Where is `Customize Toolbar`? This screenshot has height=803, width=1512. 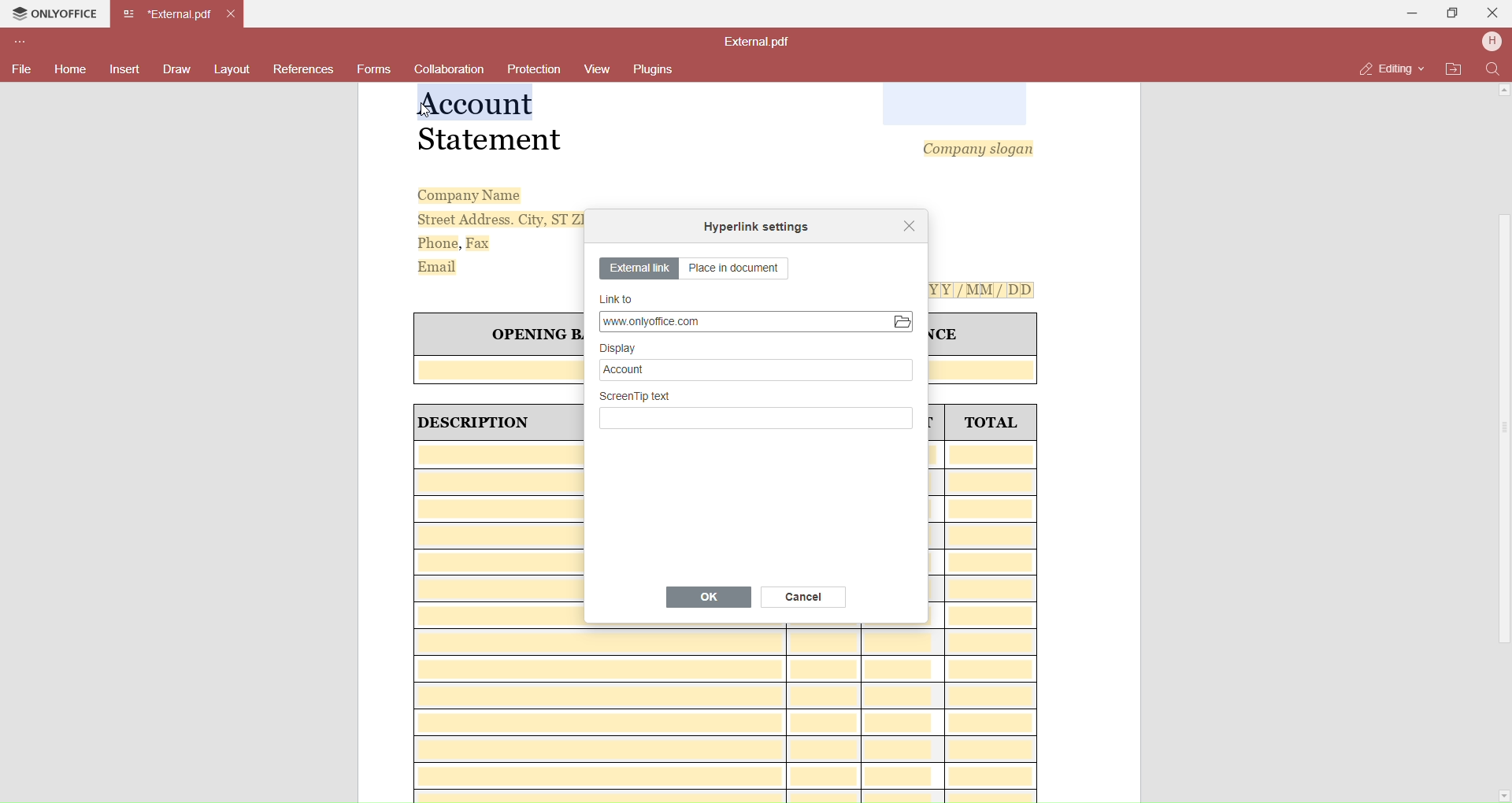
Customize Toolbar is located at coordinates (27, 42).